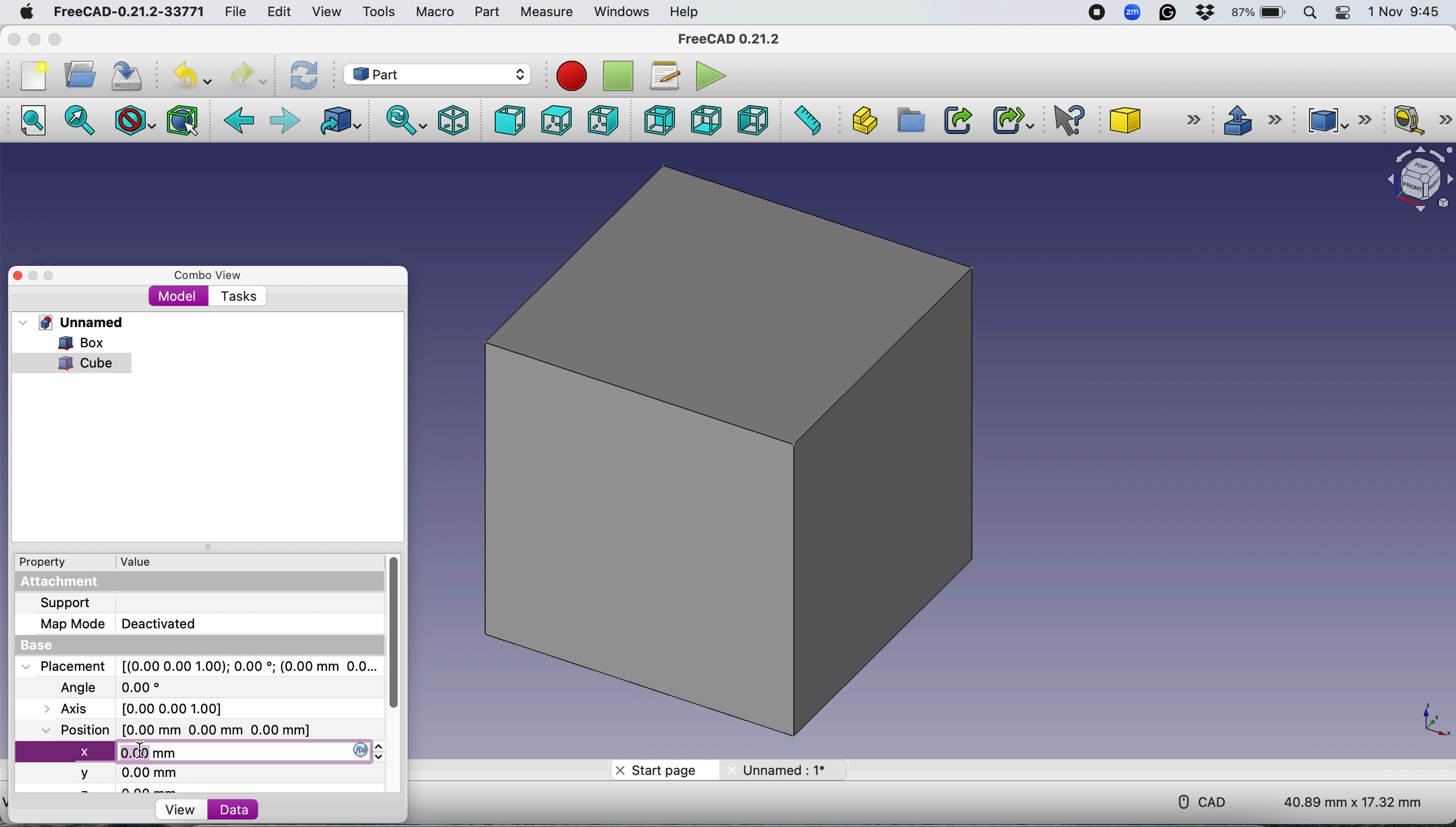  Describe the element at coordinates (63, 583) in the screenshot. I see `Attachment` at that location.